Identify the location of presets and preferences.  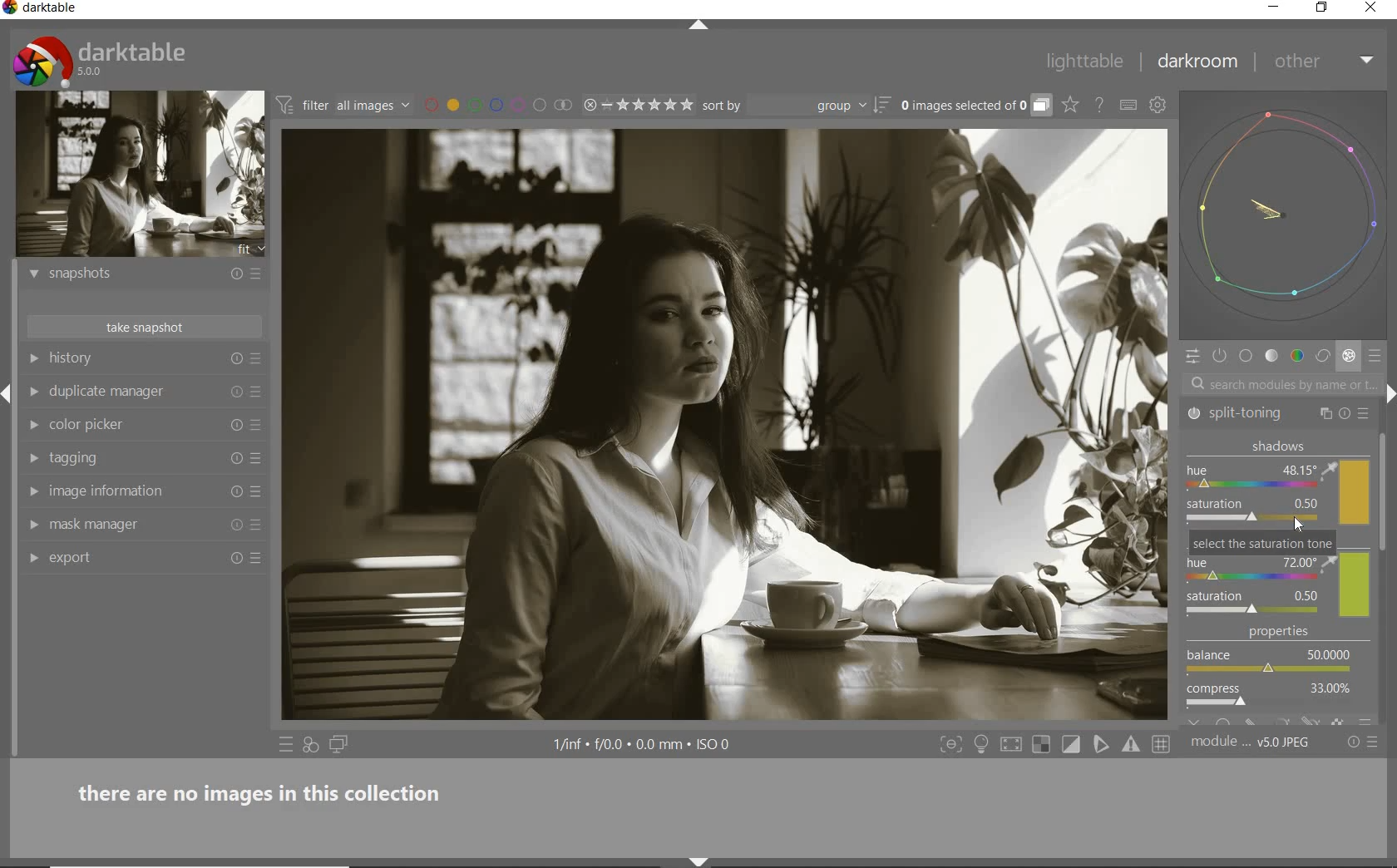
(255, 359).